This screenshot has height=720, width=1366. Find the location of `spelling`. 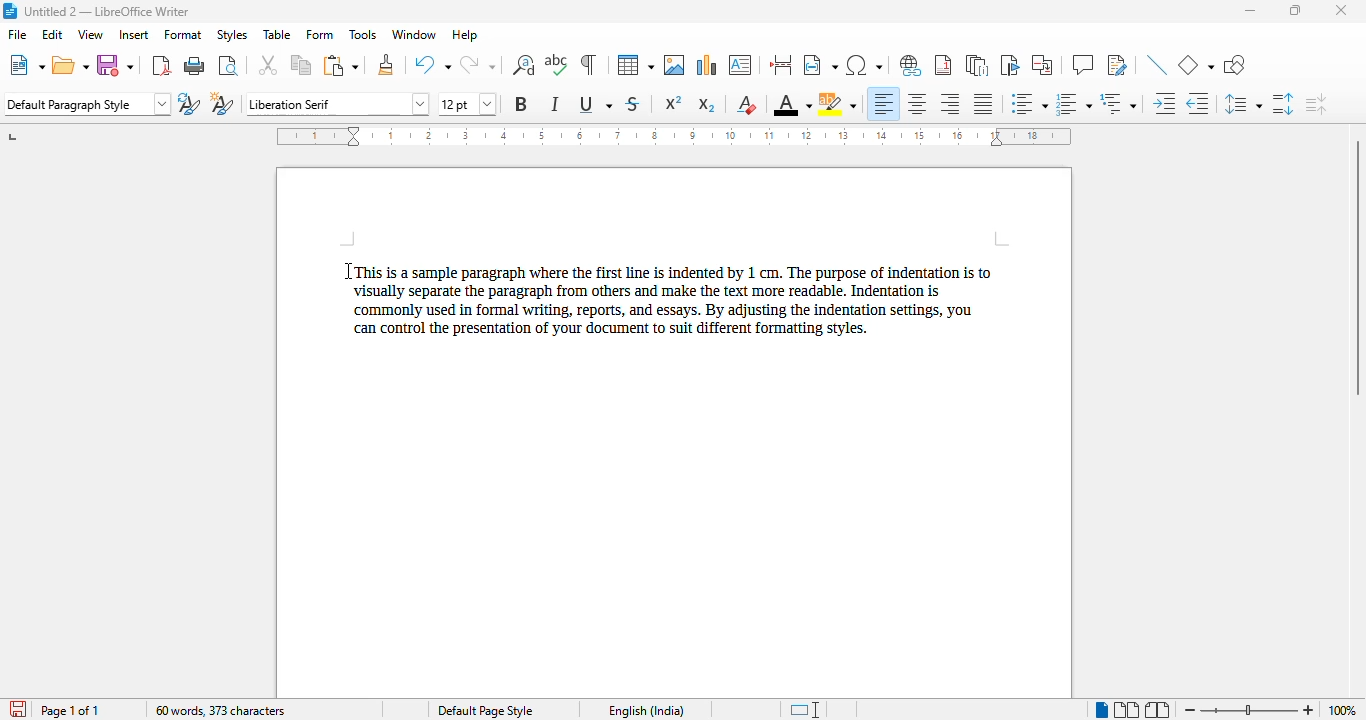

spelling is located at coordinates (557, 64).